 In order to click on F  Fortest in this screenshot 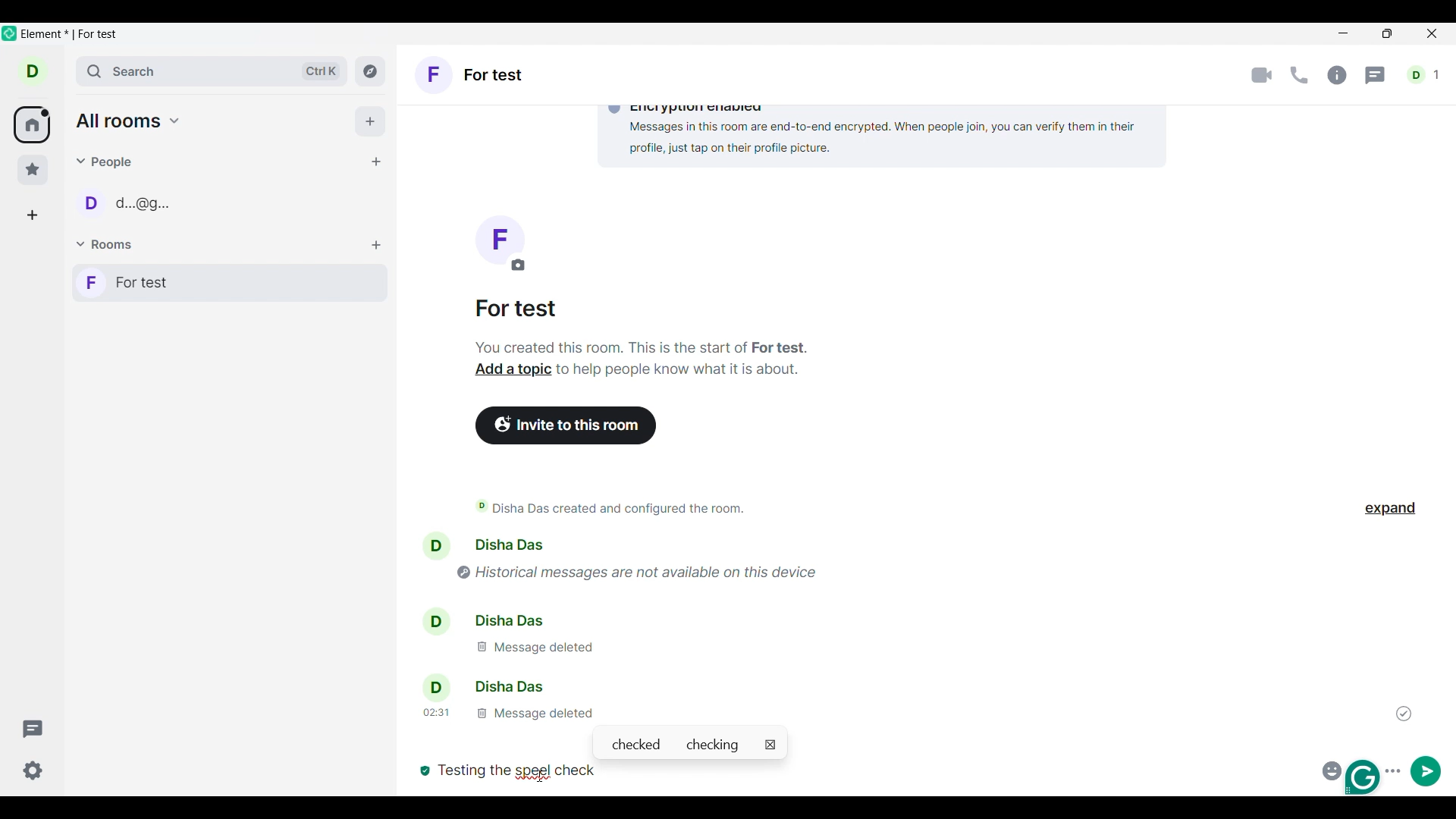, I will do `click(481, 78)`.